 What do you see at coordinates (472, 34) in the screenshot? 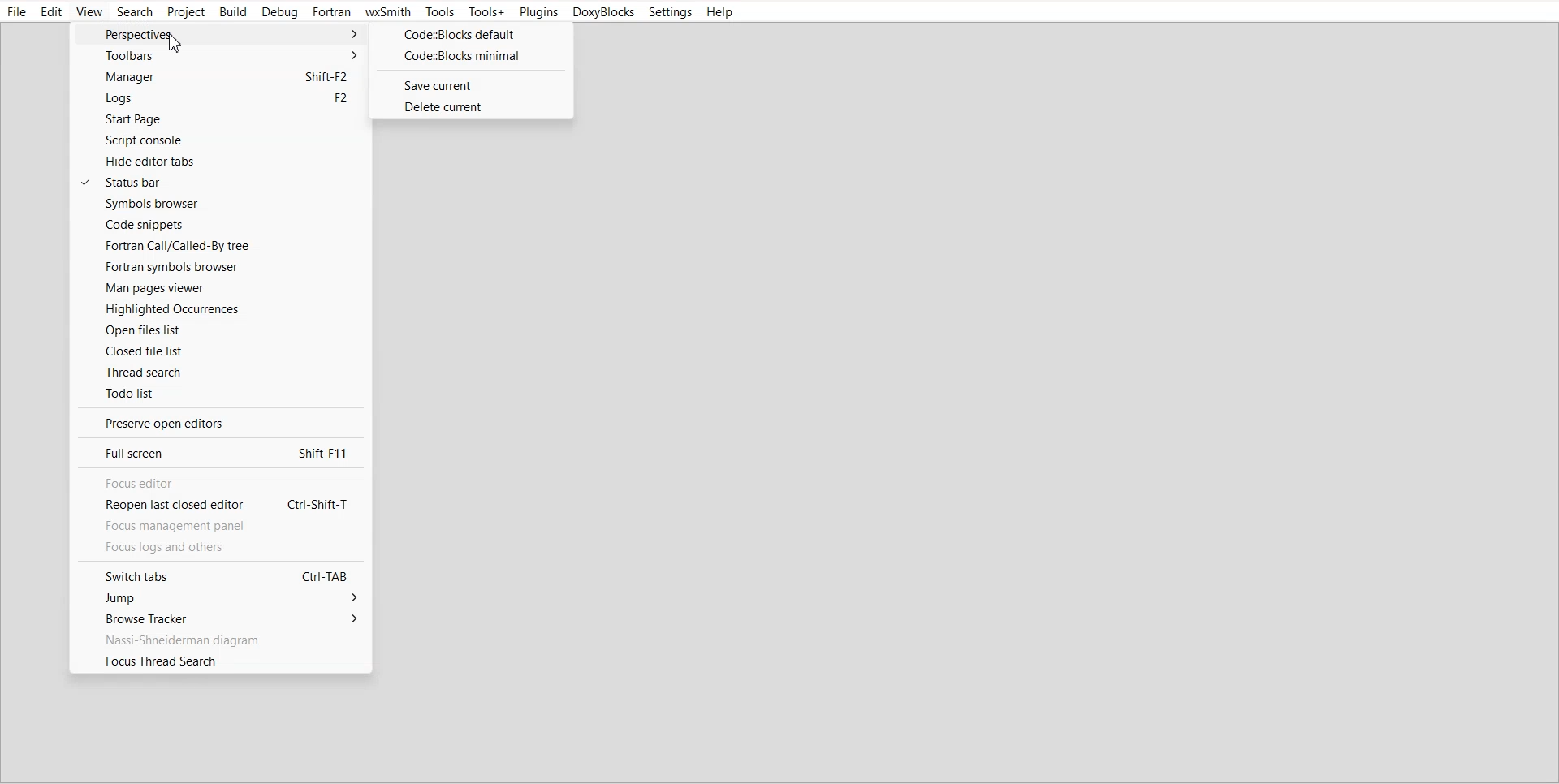
I see `CODE::BLOCK default` at bounding box center [472, 34].